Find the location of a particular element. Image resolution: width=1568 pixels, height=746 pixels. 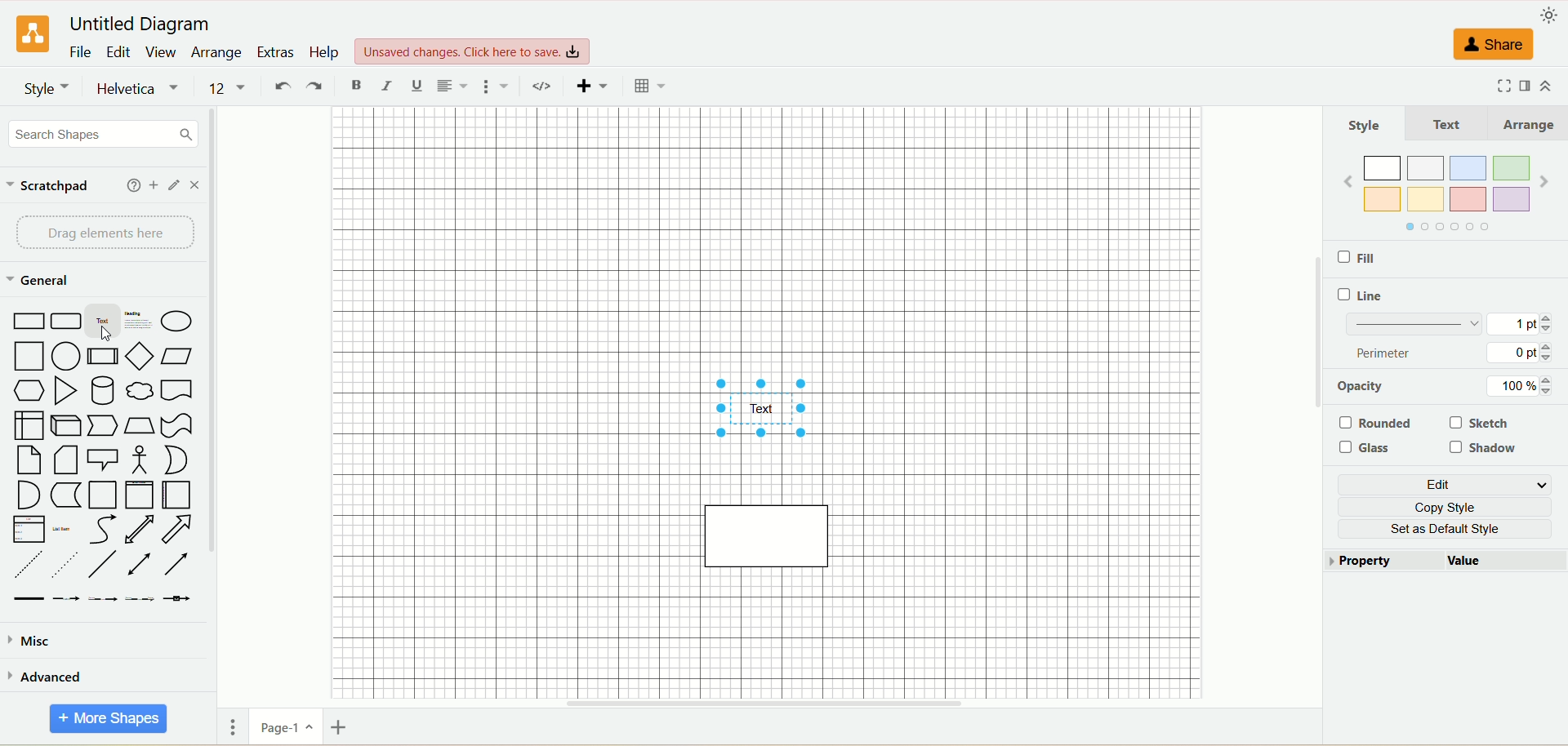

circle is located at coordinates (66, 356).